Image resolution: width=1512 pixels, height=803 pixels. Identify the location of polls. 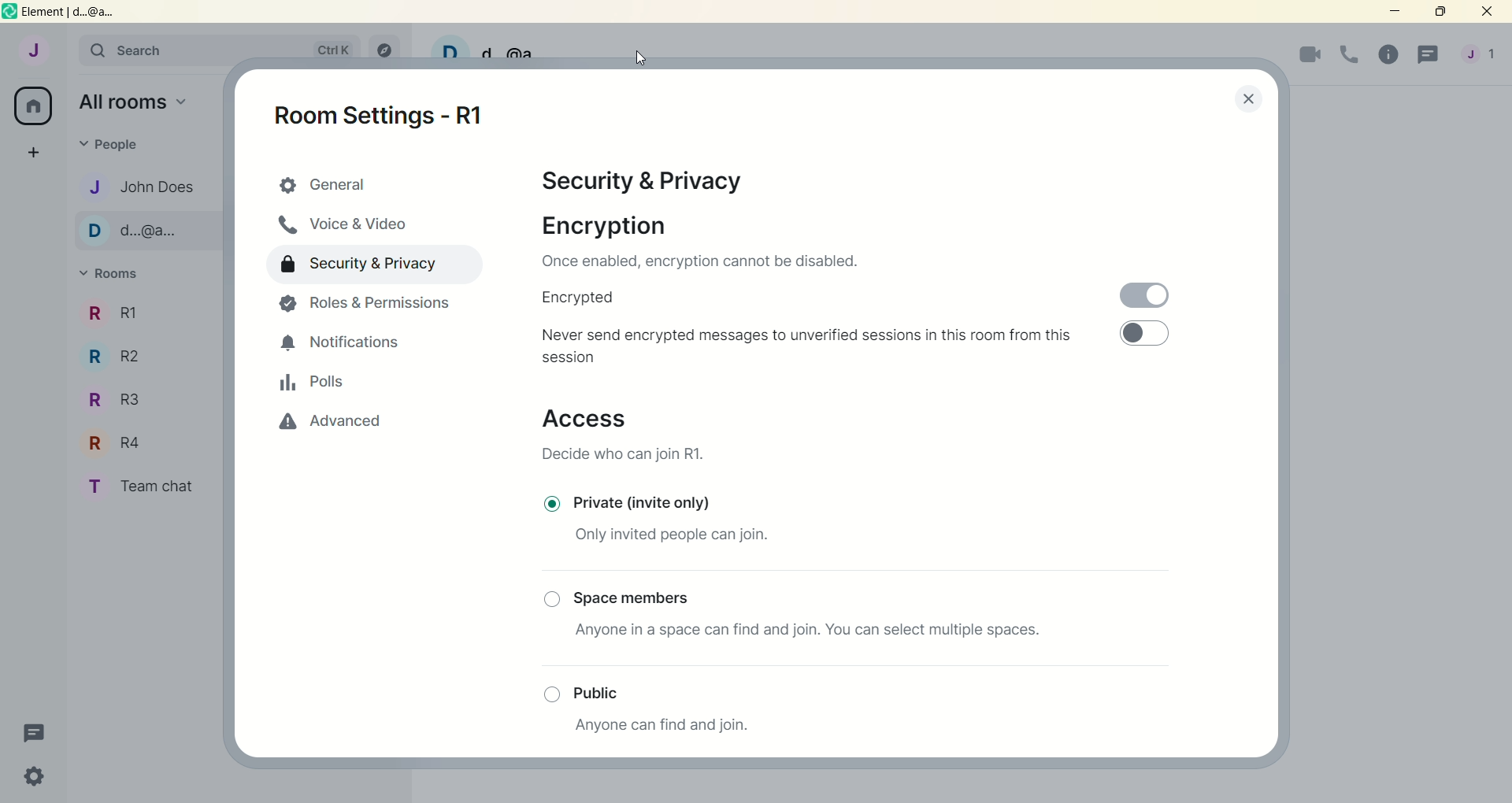
(313, 386).